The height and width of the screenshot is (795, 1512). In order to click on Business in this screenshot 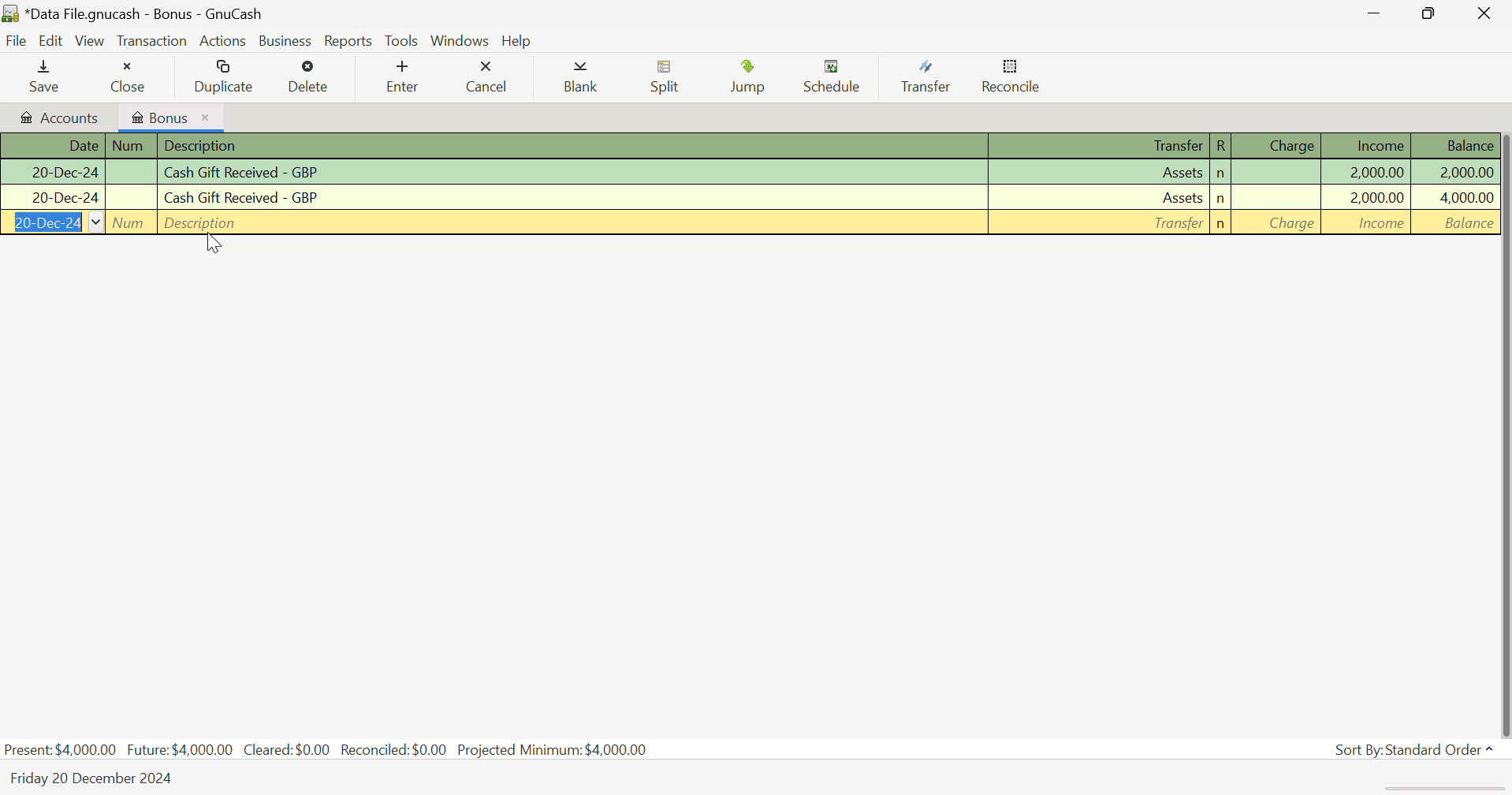, I will do `click(282, 39)`.